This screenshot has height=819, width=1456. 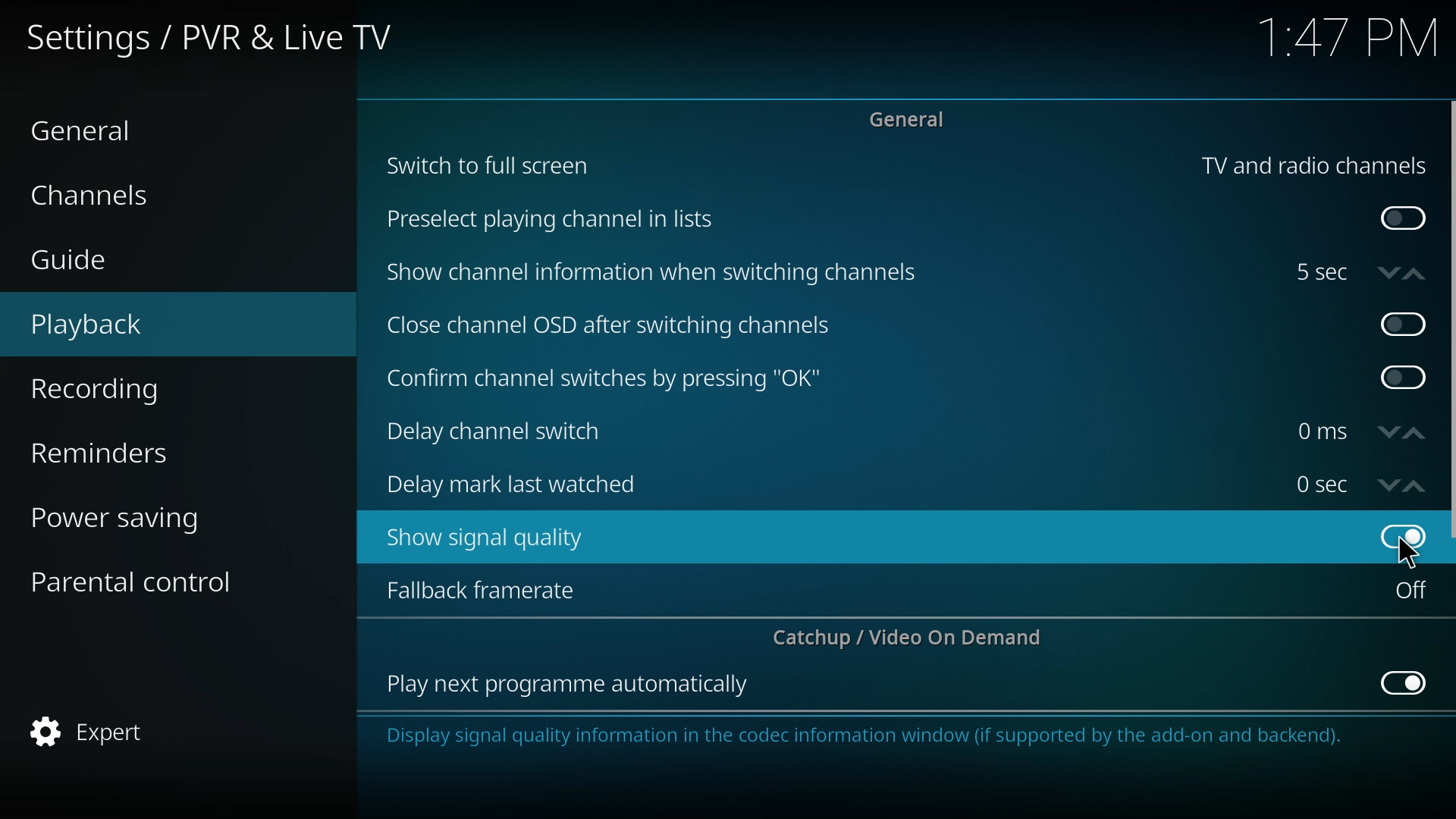 I want to click on delay mark last watched, so click(x=519, y=482).